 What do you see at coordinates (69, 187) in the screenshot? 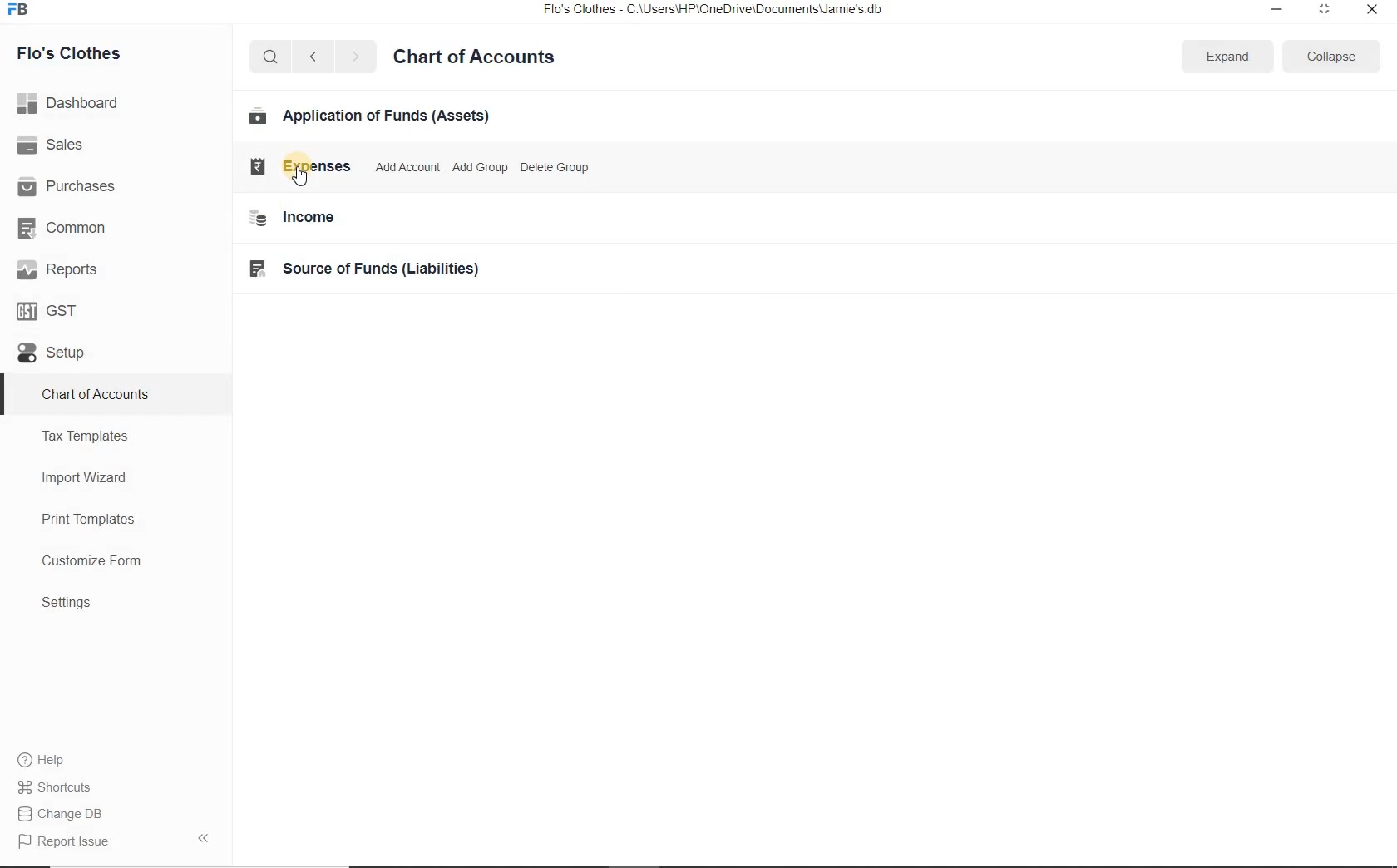
I see `Purchases` at bounding box center [69, 187].